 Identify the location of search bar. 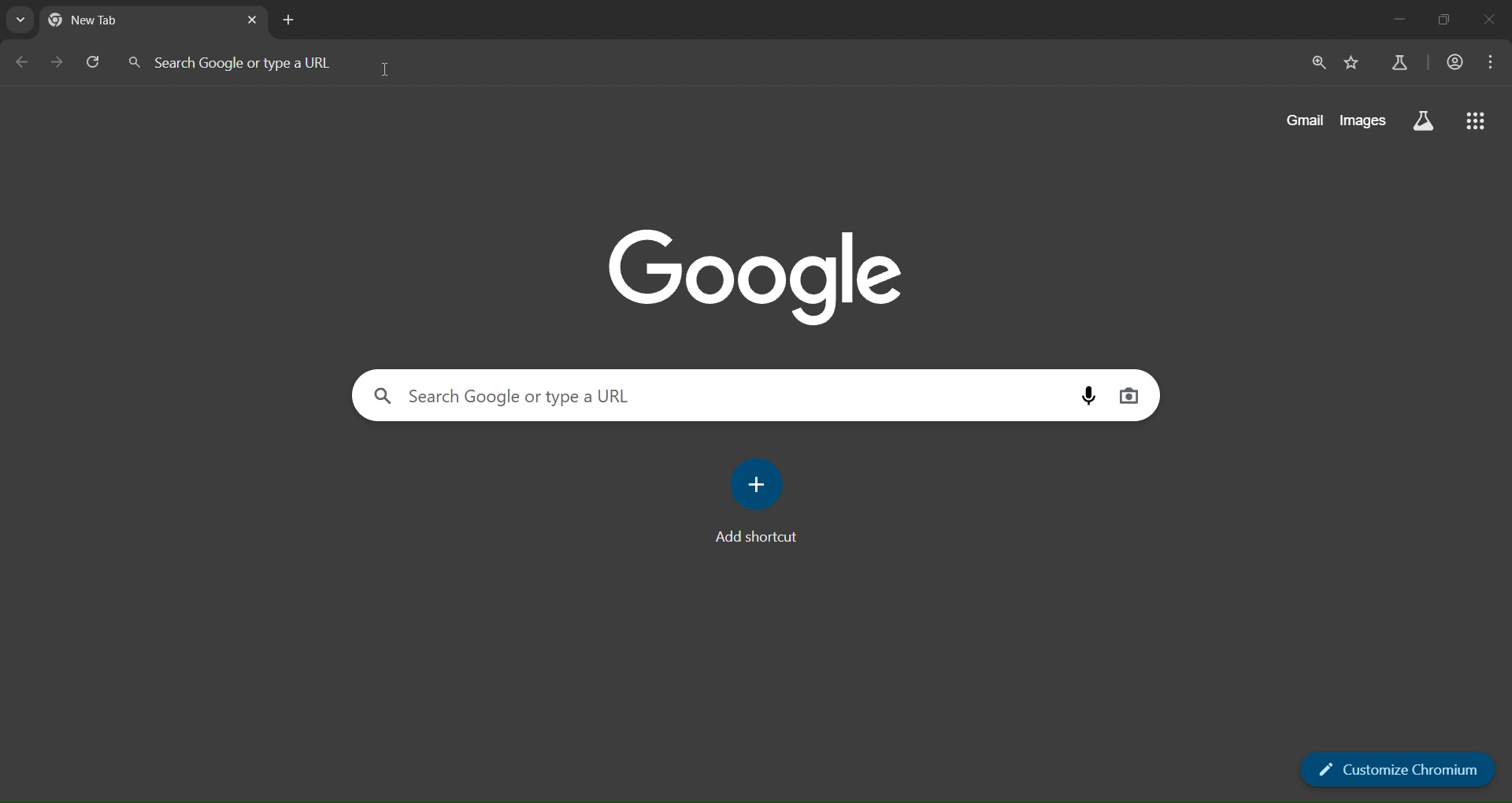
(231, 61).